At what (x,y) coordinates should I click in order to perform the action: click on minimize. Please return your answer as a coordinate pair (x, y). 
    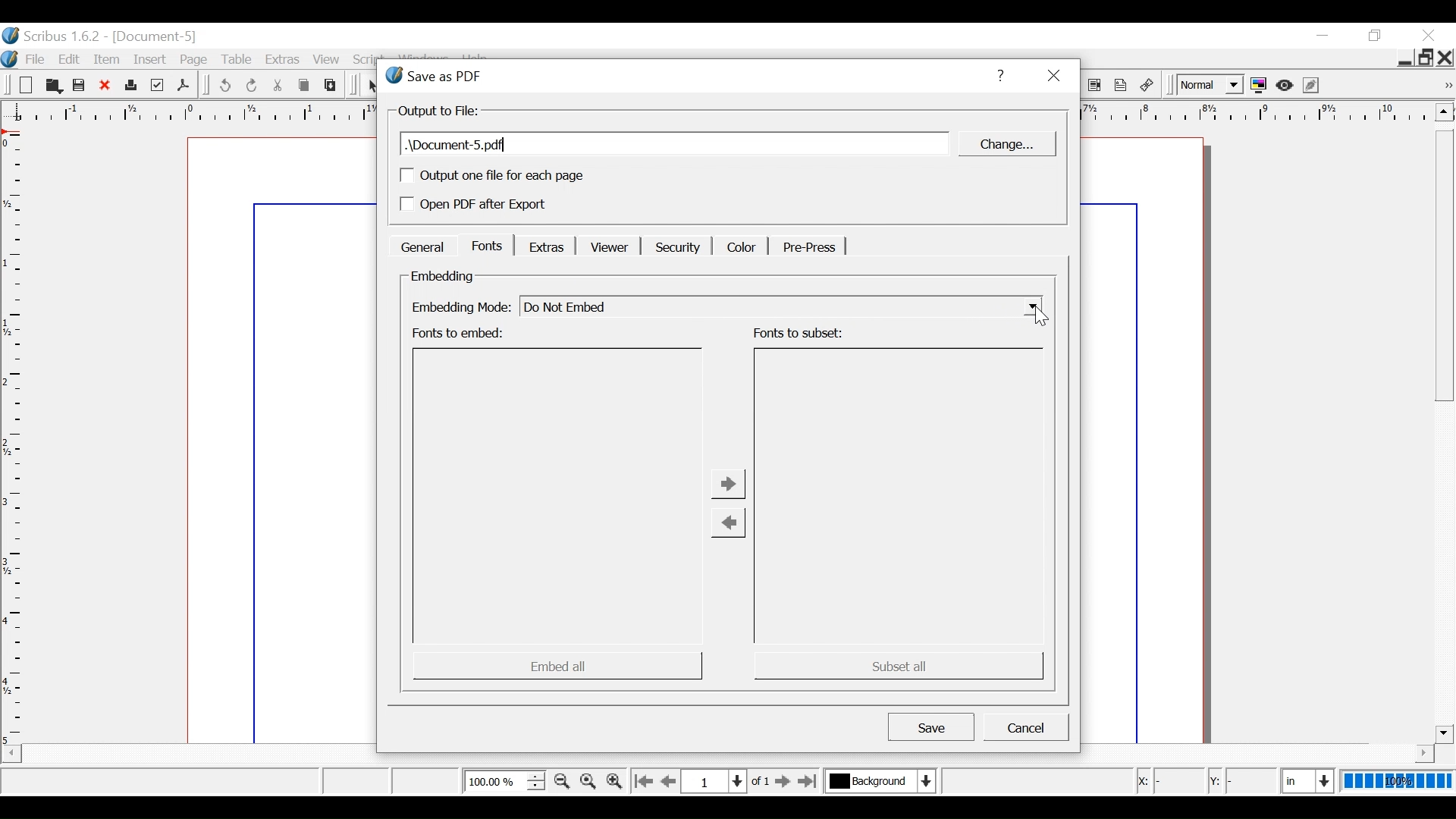
    Looking at the image, I should click on (1403, 60).